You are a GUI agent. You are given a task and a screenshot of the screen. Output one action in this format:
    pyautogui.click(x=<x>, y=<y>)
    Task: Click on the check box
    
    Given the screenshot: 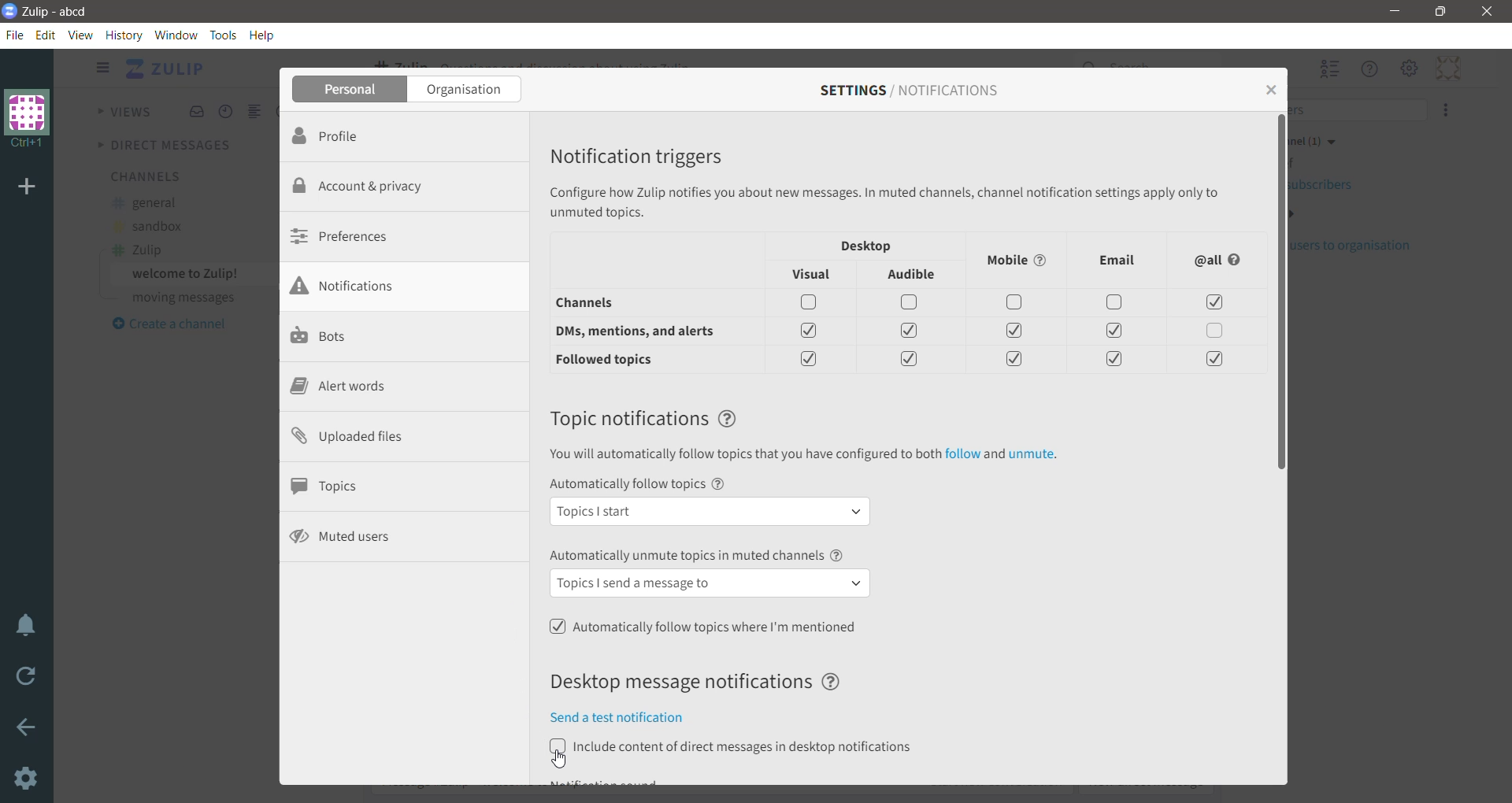 What is the action you would take?
    pyautogui.click(x=1016, y=333)
    